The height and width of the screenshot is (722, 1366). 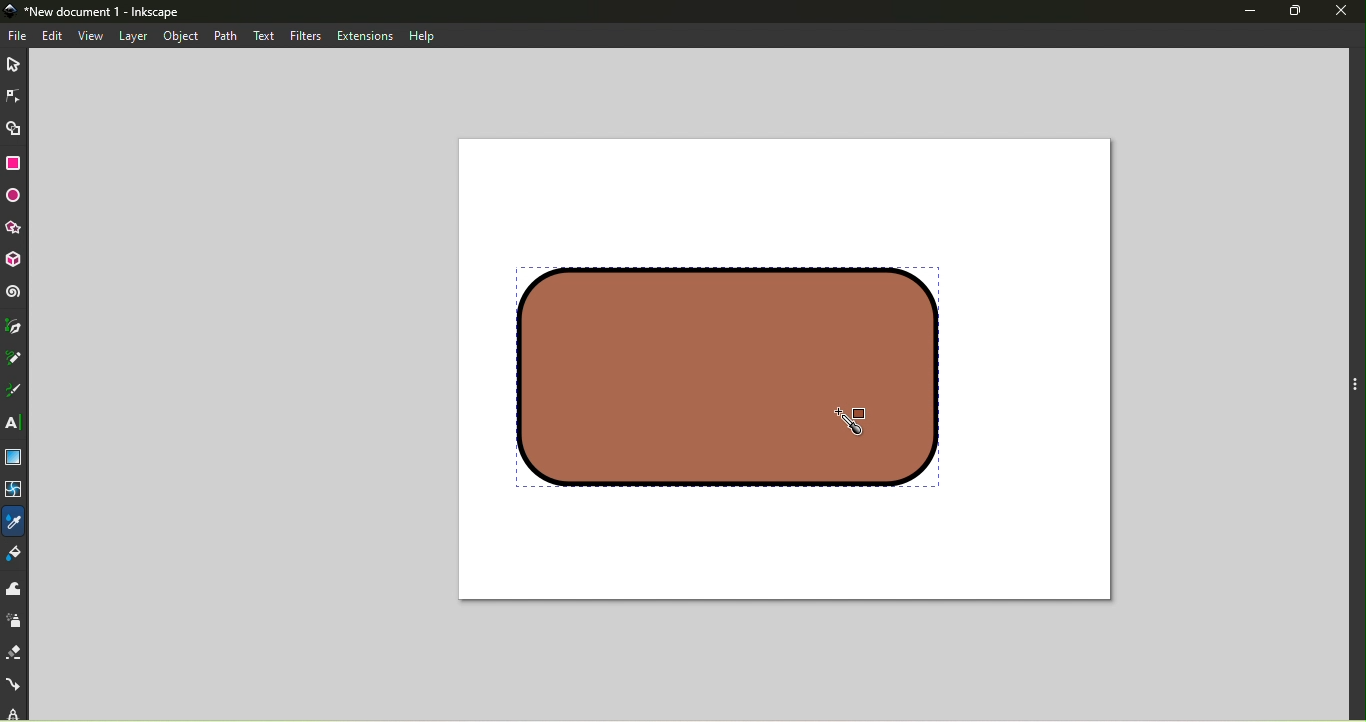 I want to click on cursor, so click(x=868, y=415).